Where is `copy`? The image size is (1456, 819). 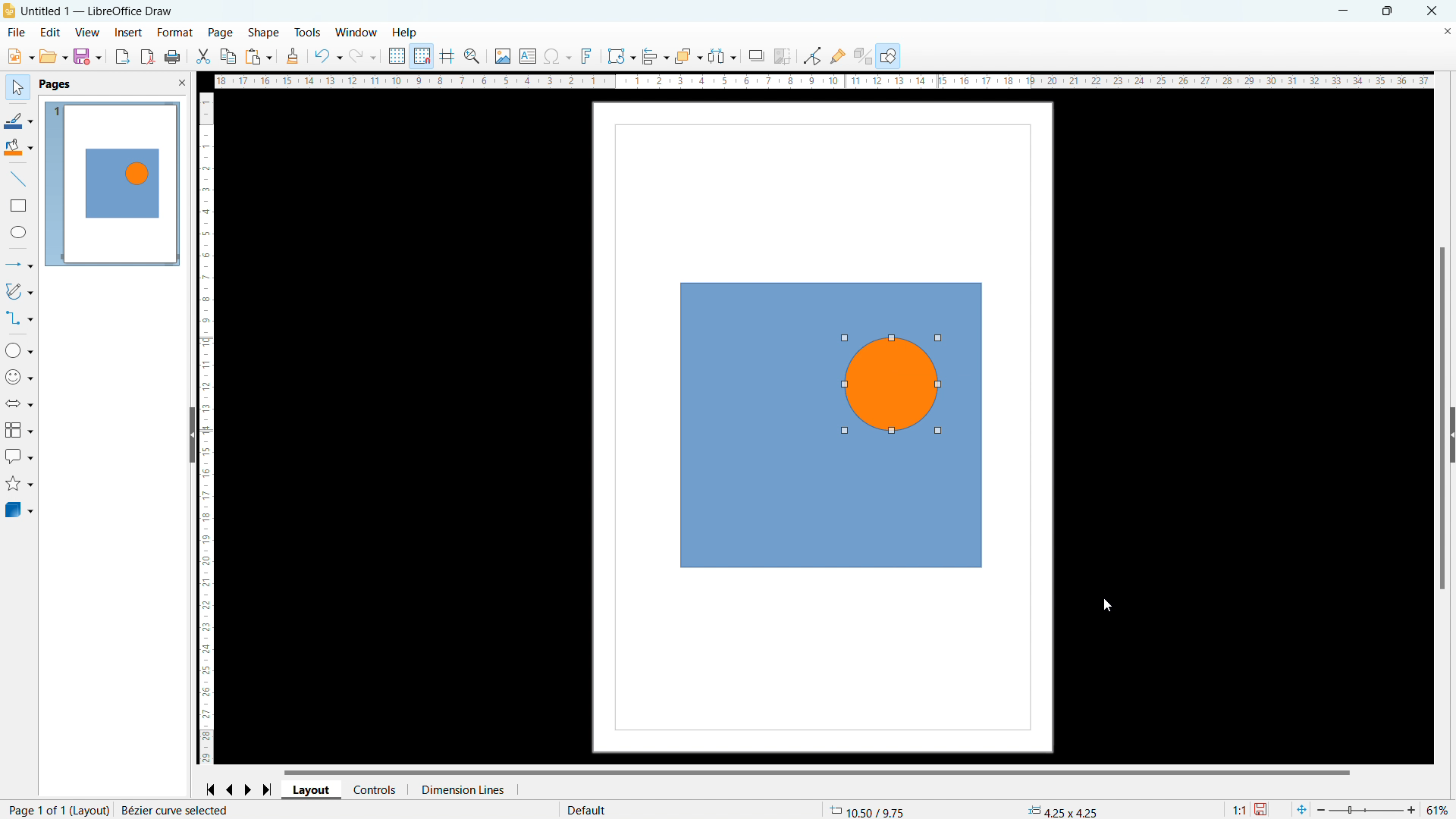 copy is located at coordinates (228, 56).